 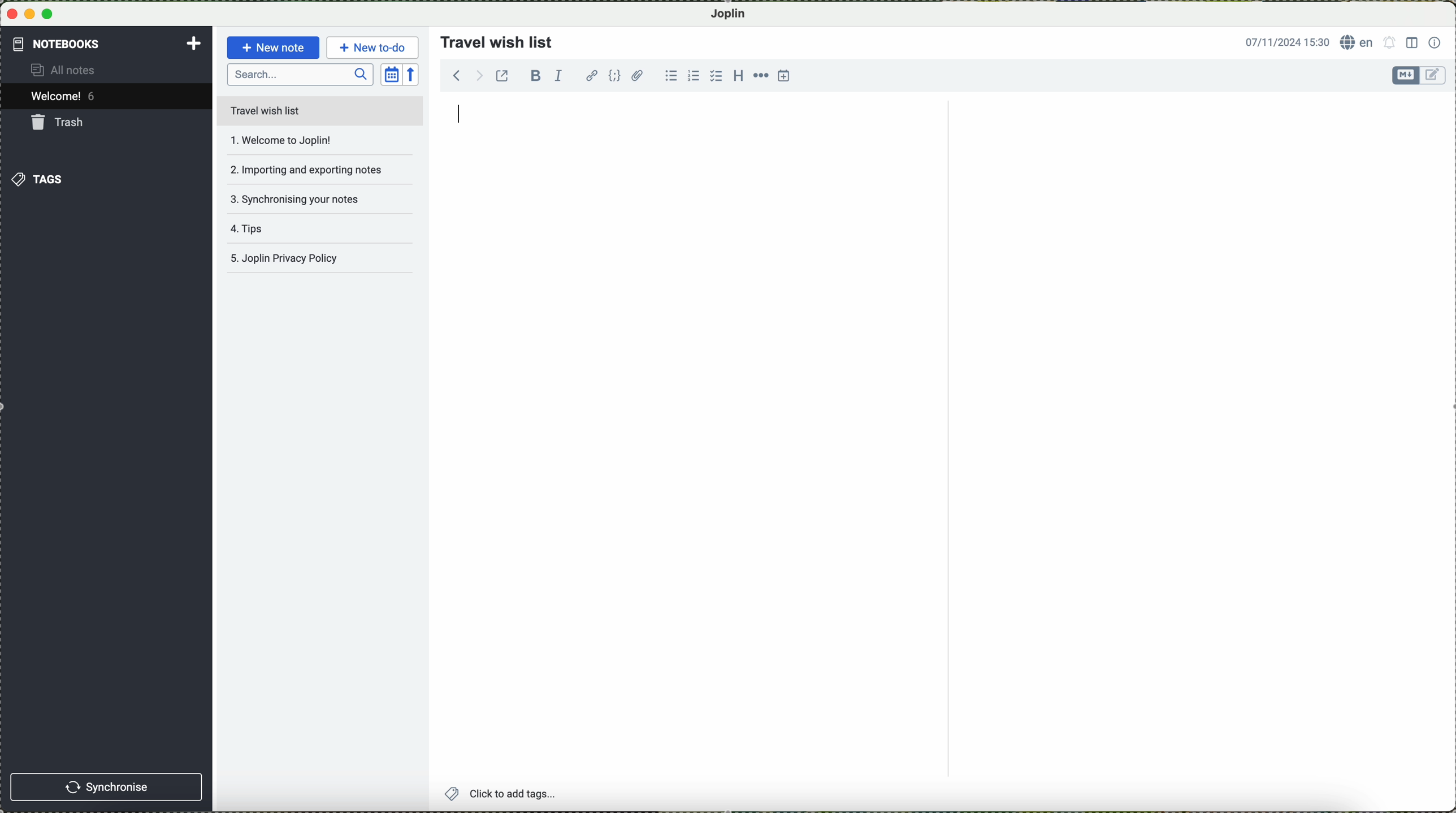 I want to click on trash, so click(x=60, y=122).